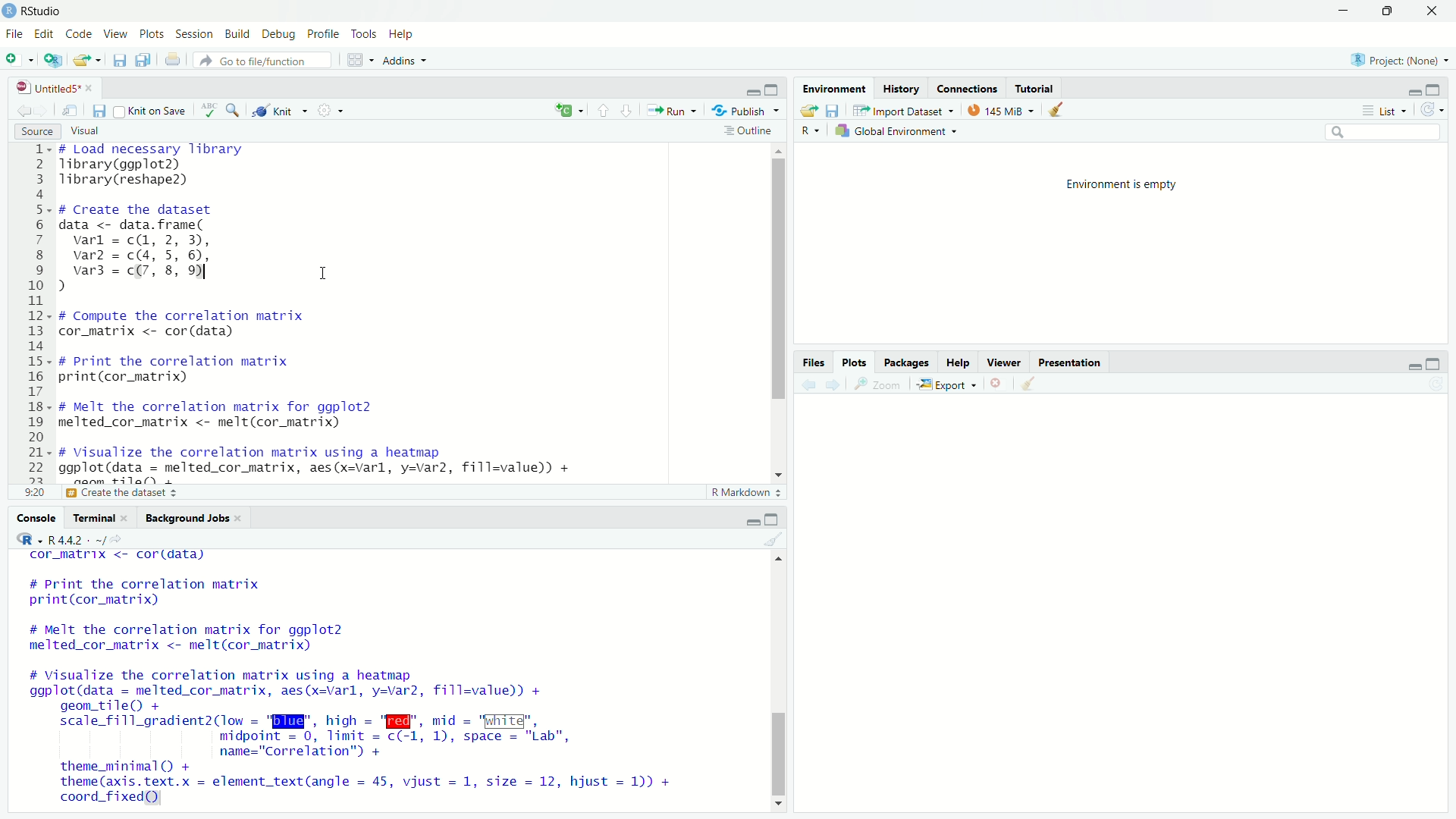 The width and height of the screenshot is (1456, 819). What do you see at coordinates (362, 315) in the screenshot?
I see `# Load necessary library
Tibrary(ggplot2)
Tibrary(reshape2)
# Create the dataset
data <- data. frame(
varl = c(, 2, 3),
var2 = c(4, 5, 6),
var3 = c(7, 8, 9 I
)
# Compute the correlation matrix
cor_matrix <- cor (data)
# Print the correlation matrix
print(cor_matrix)
# Melt the correlation matrix for ggplot2
melted_cor_matrix <- melt(cor_matrix)
# Visualize the correlation matrix using a heatmap
ggplot(data = melted_cor_matrix, aes(x=varl, y=var2, fill=value)) +
noom +ilal)` at bounding box center [362, 315].